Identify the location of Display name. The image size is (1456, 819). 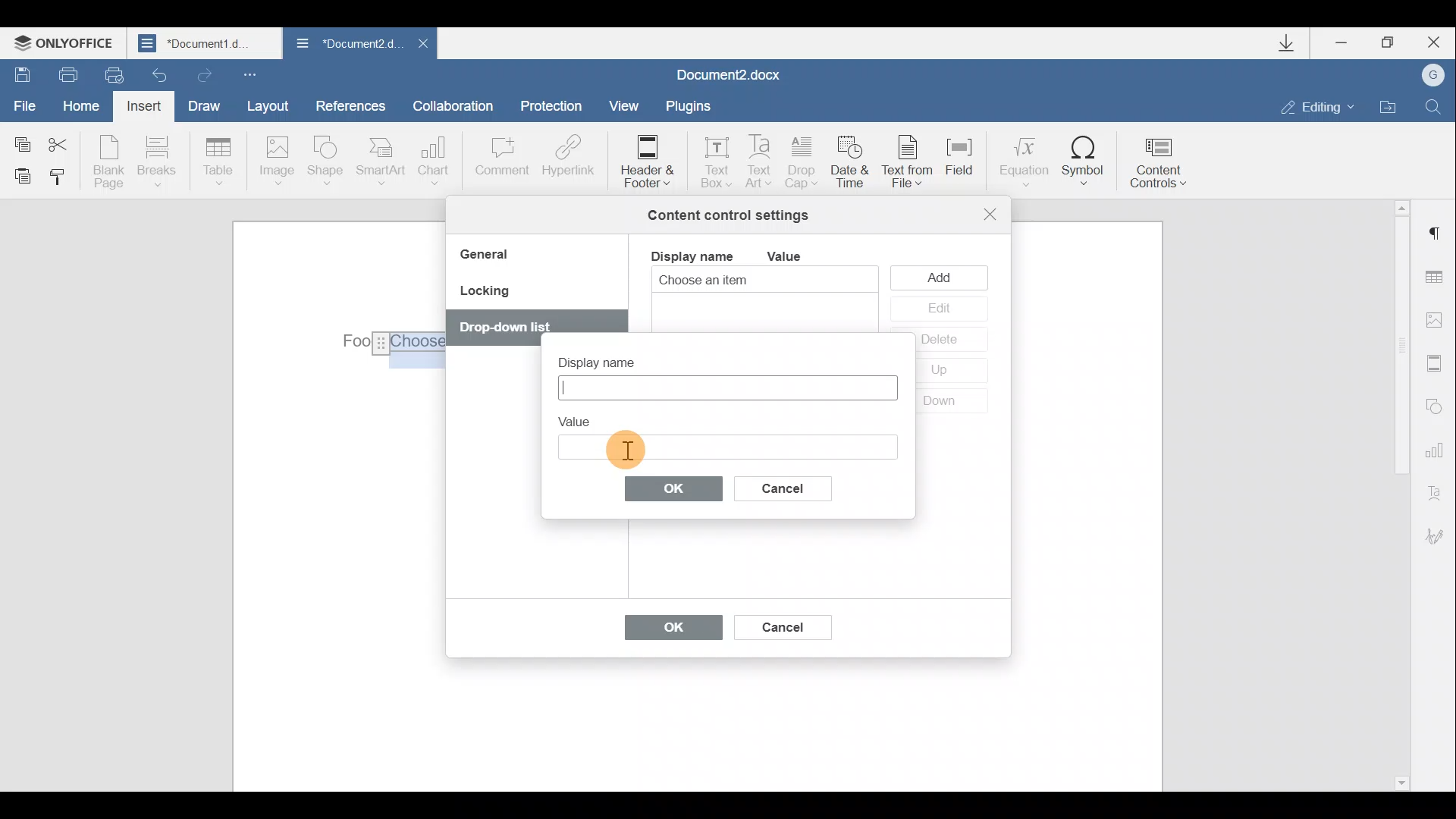
(691, 255).